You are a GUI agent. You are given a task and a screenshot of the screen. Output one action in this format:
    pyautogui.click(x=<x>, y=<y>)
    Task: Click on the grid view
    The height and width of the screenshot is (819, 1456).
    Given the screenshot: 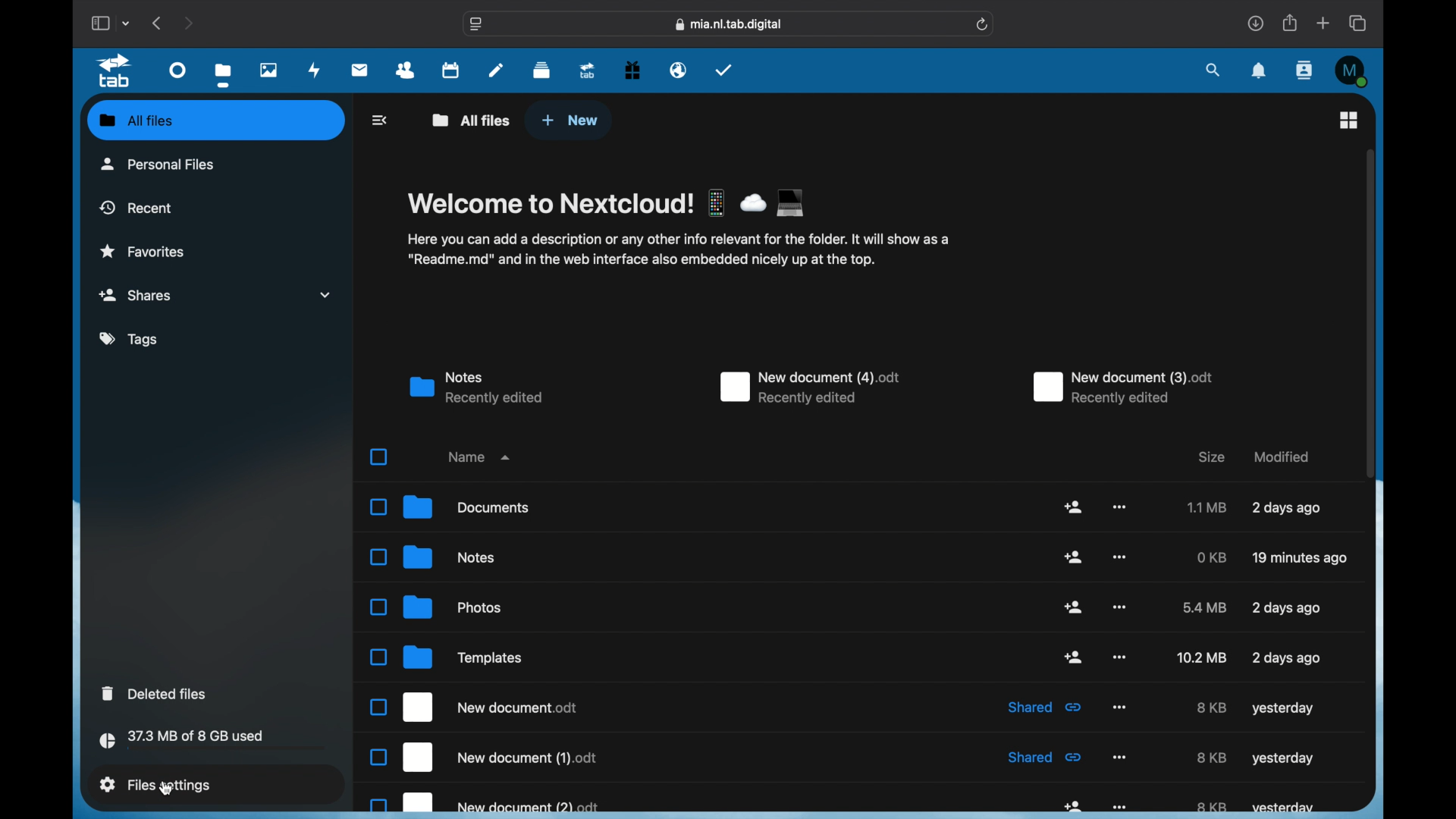 What is the action you would take?
    pyautogui.click(x=1350, y=120)
    